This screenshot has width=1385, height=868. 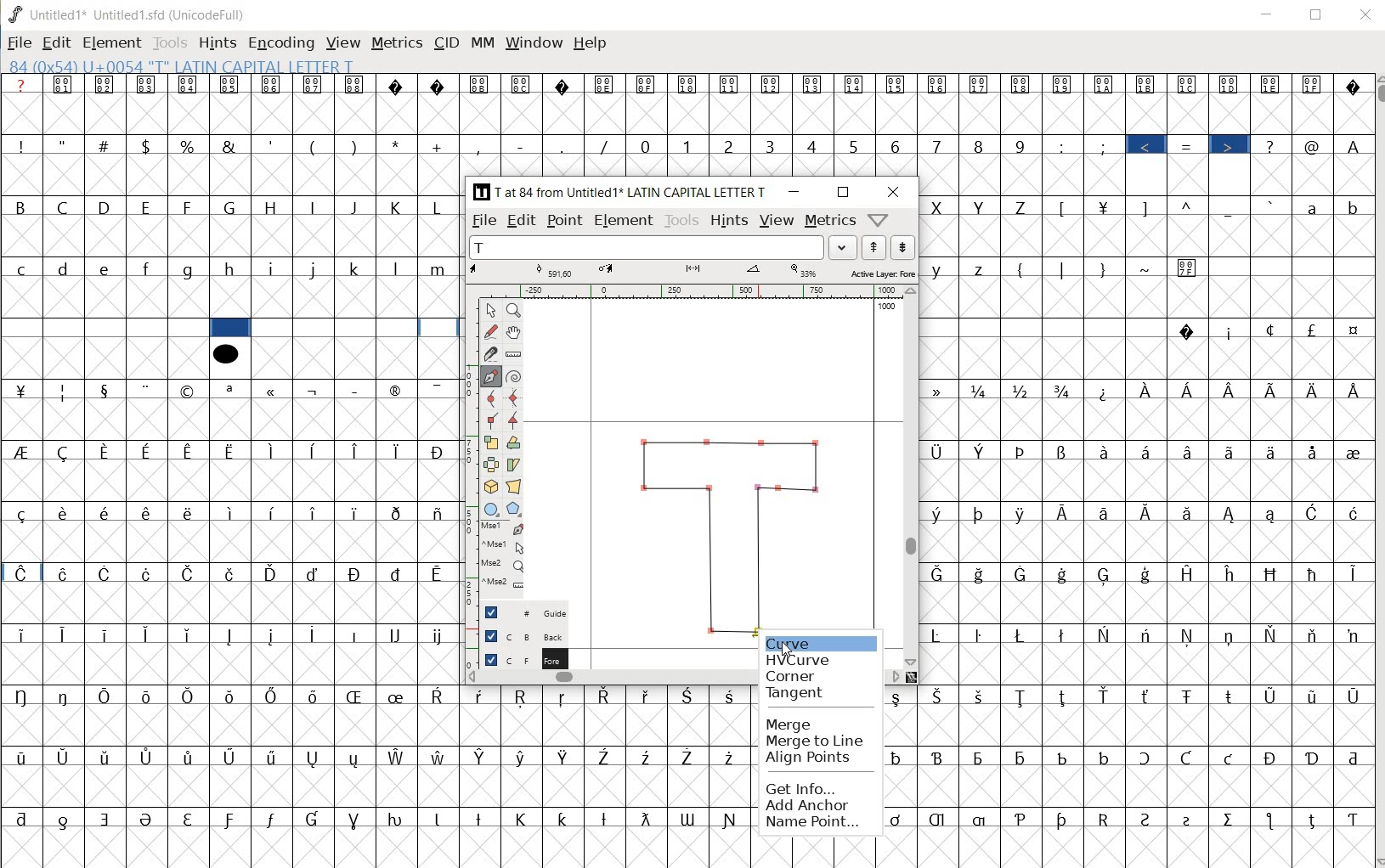 I want to click on Mouse wheel button + Ctrl, so click(x=503, y=583).